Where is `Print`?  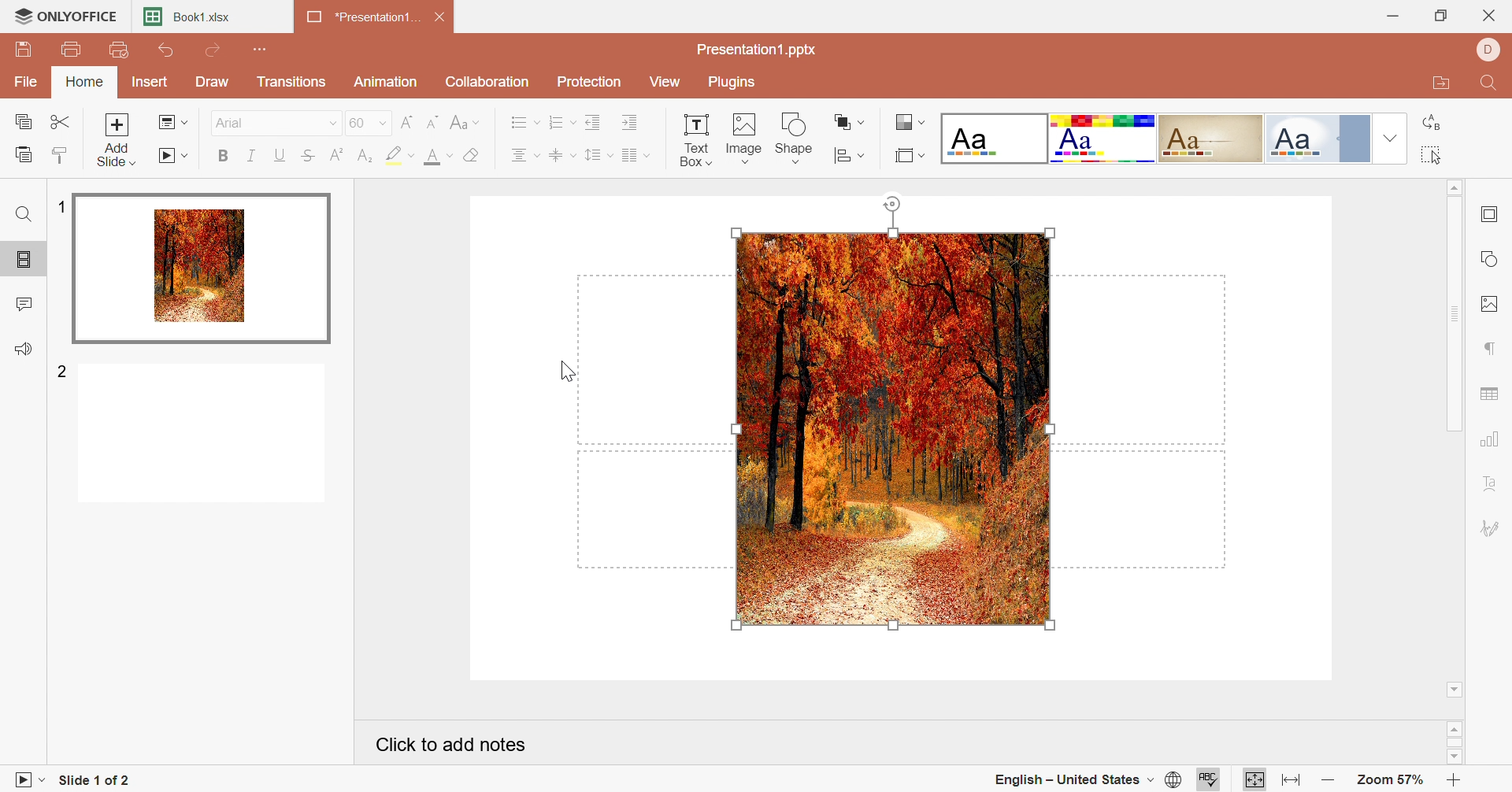
Print is located at coordinates (72, 49).